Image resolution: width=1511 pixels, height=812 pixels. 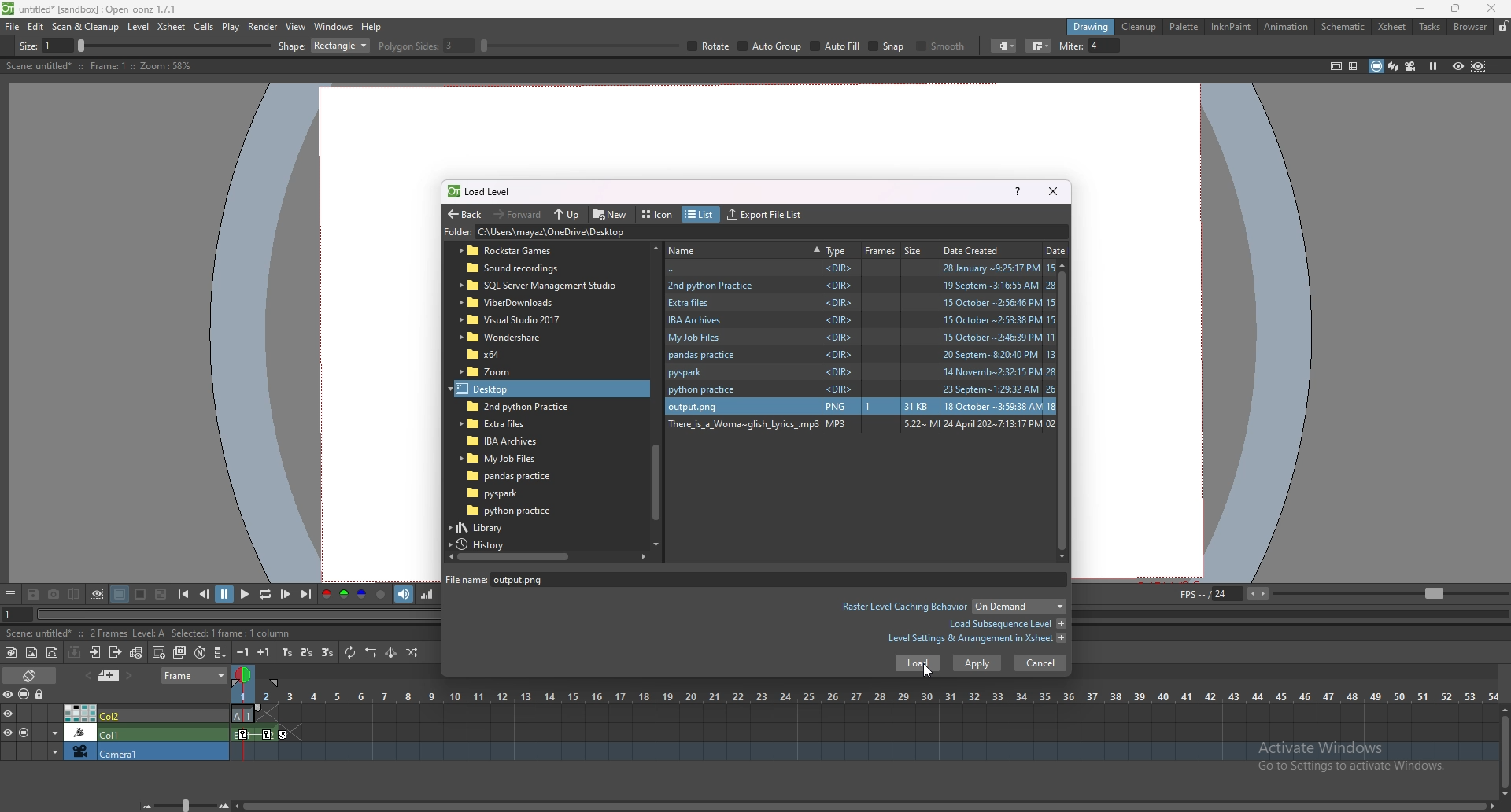 What do you see at coordinates (381, 595) in the screenshot?
I see `alpha channel` at bounding box center [381, 595].